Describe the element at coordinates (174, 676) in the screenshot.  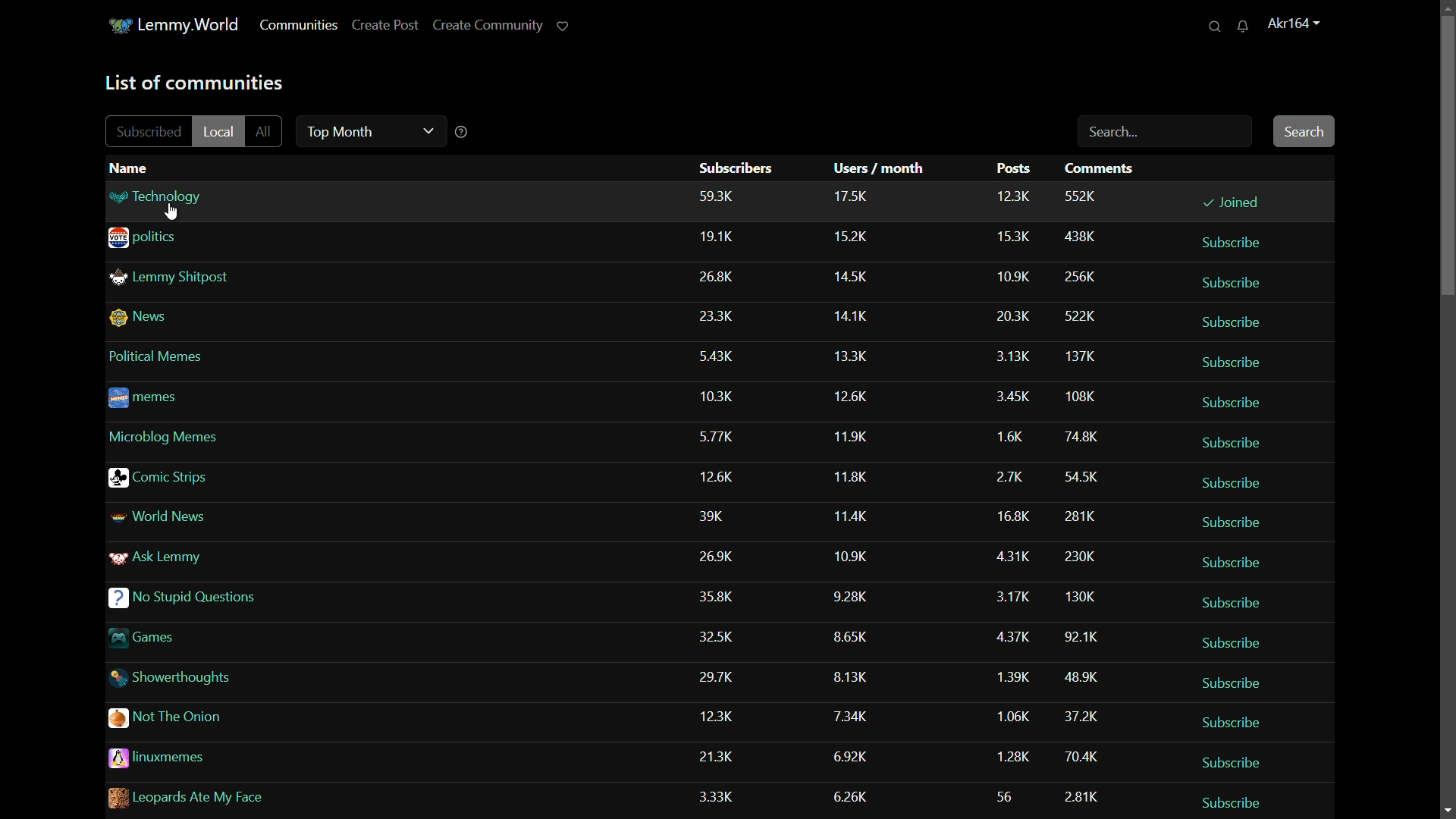
I see `communities name` at that location.